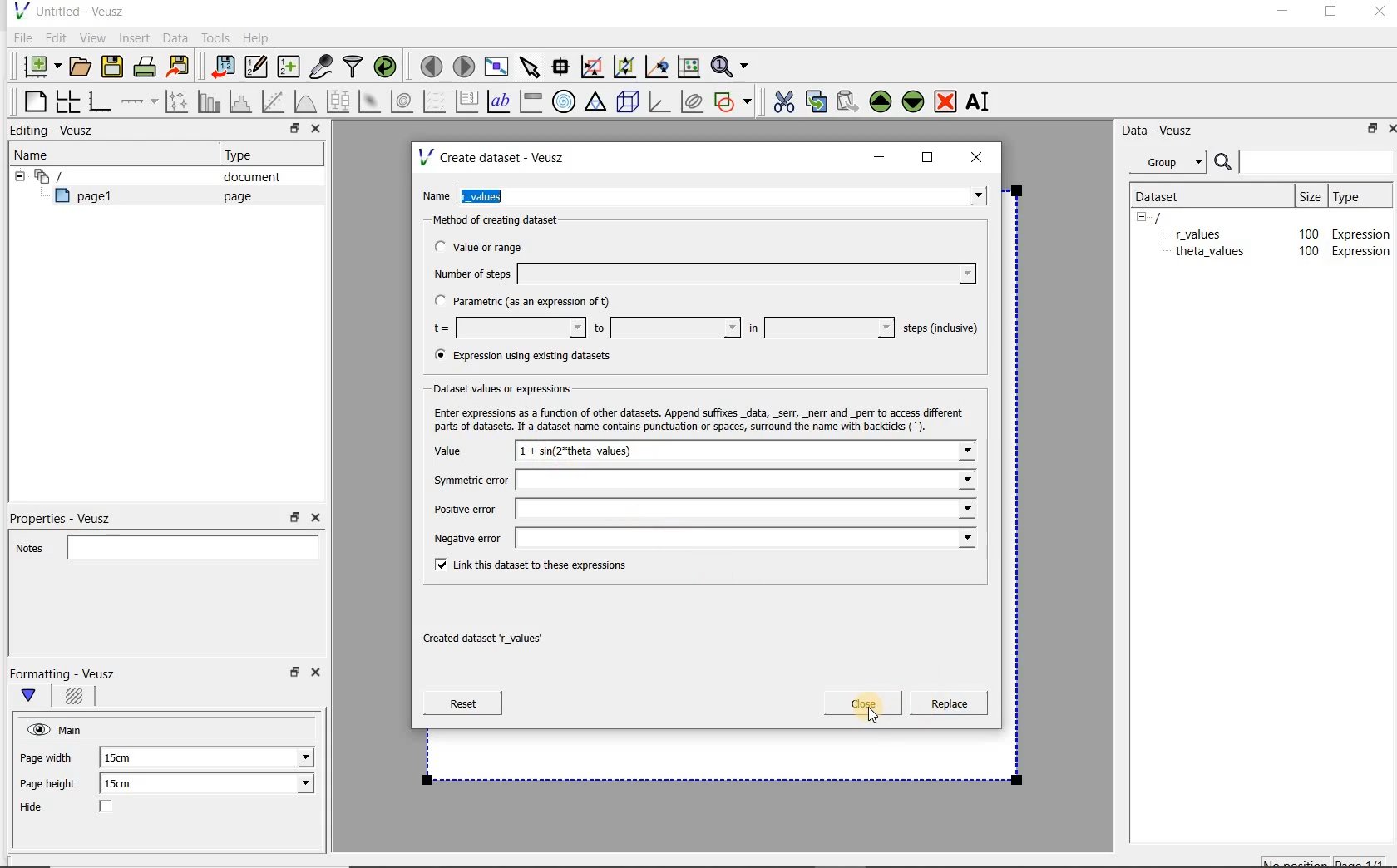 The height and width of the screenshot is (868, 1397). What do you see at coordinates (128, 784) in the screenshot?
I see `15cm` at bounding box center [128, 784].